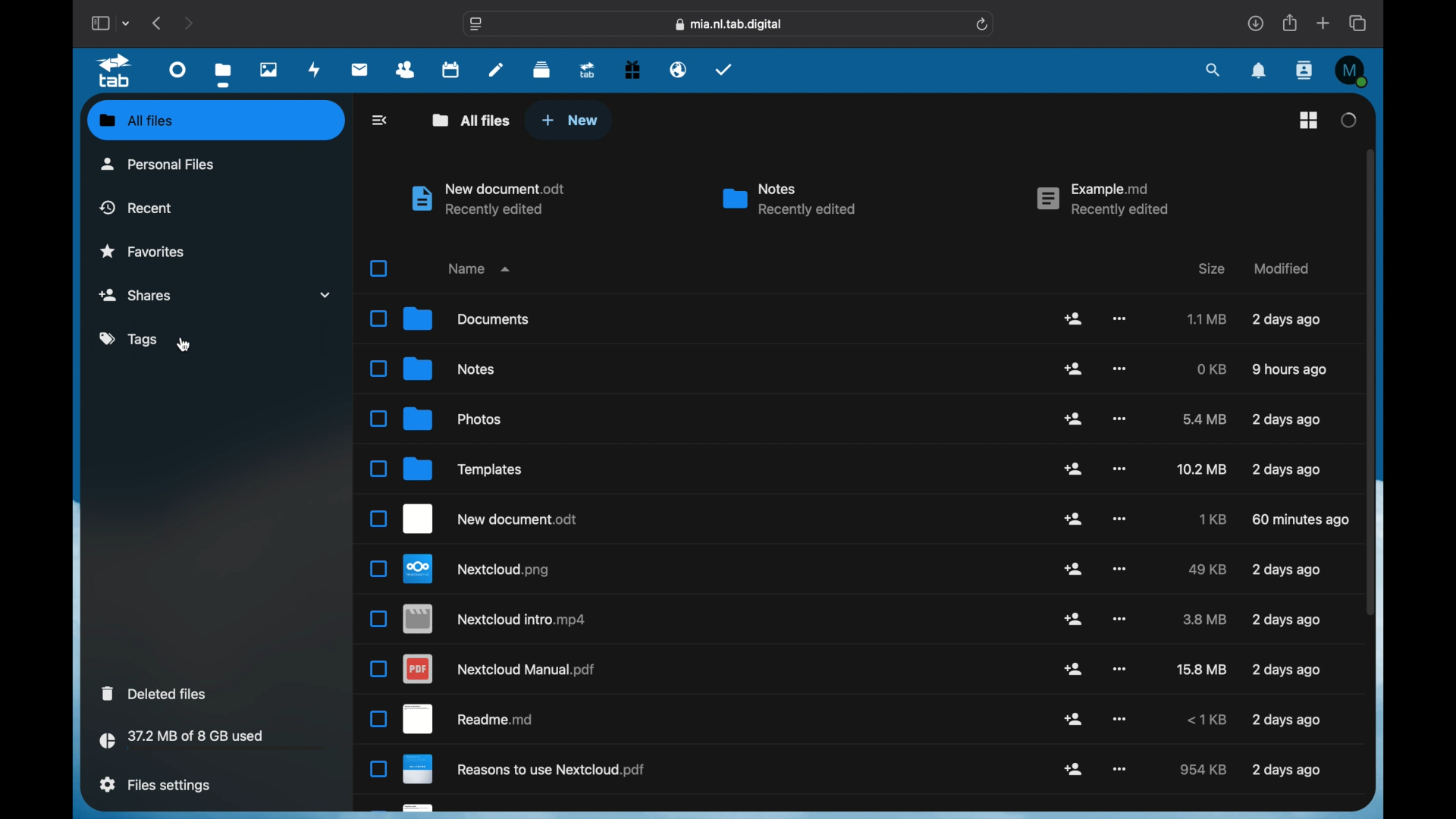 The width and height of the screenshot is (1456, 819). What do you see at coordinates (492, 519) in the screenshot?
I see `new document` at bounding box center [492, 519].